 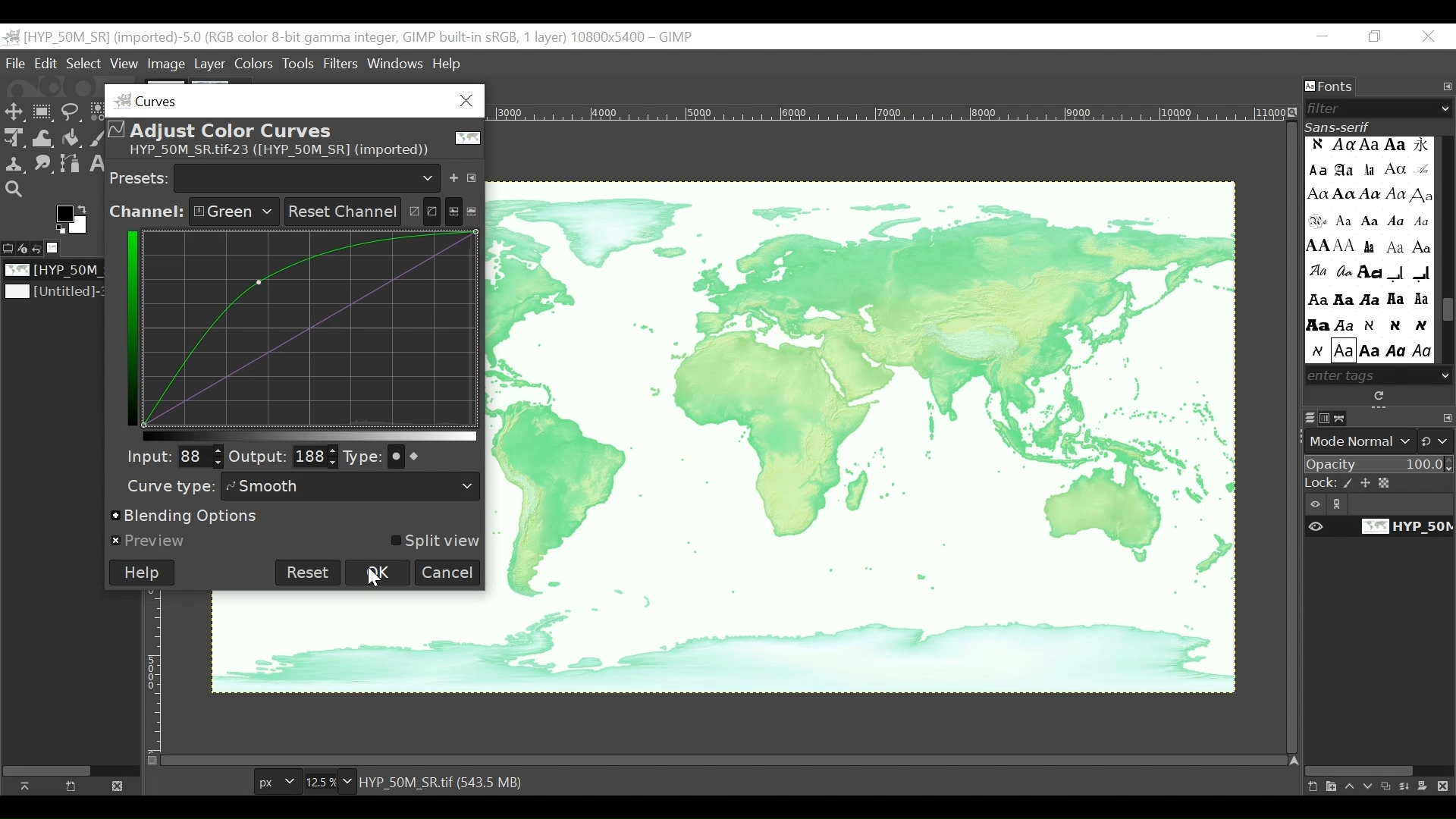 I want to click on Adjust curves, so click(x=422, y=209).